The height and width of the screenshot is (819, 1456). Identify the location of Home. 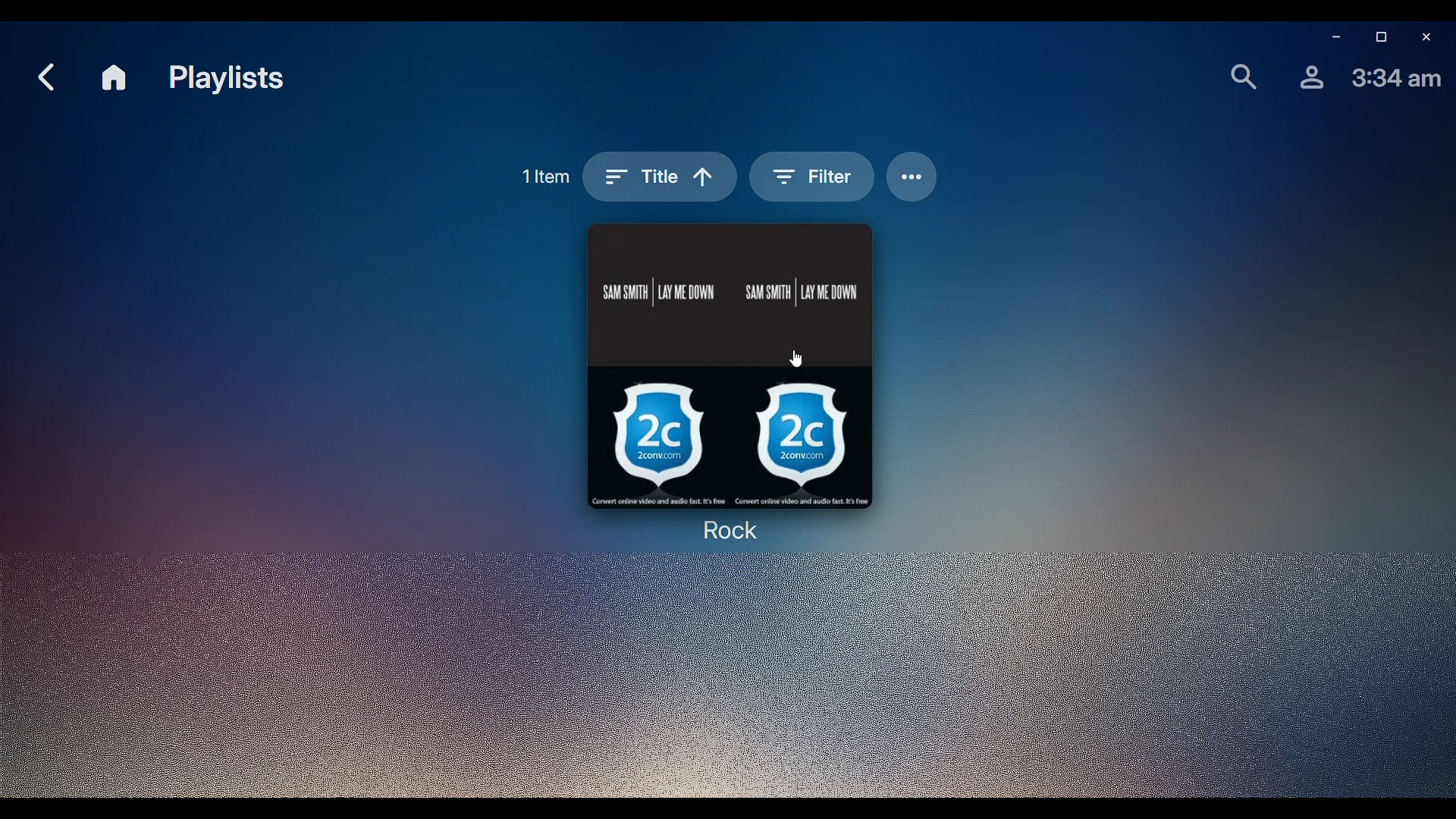
(112, 80).